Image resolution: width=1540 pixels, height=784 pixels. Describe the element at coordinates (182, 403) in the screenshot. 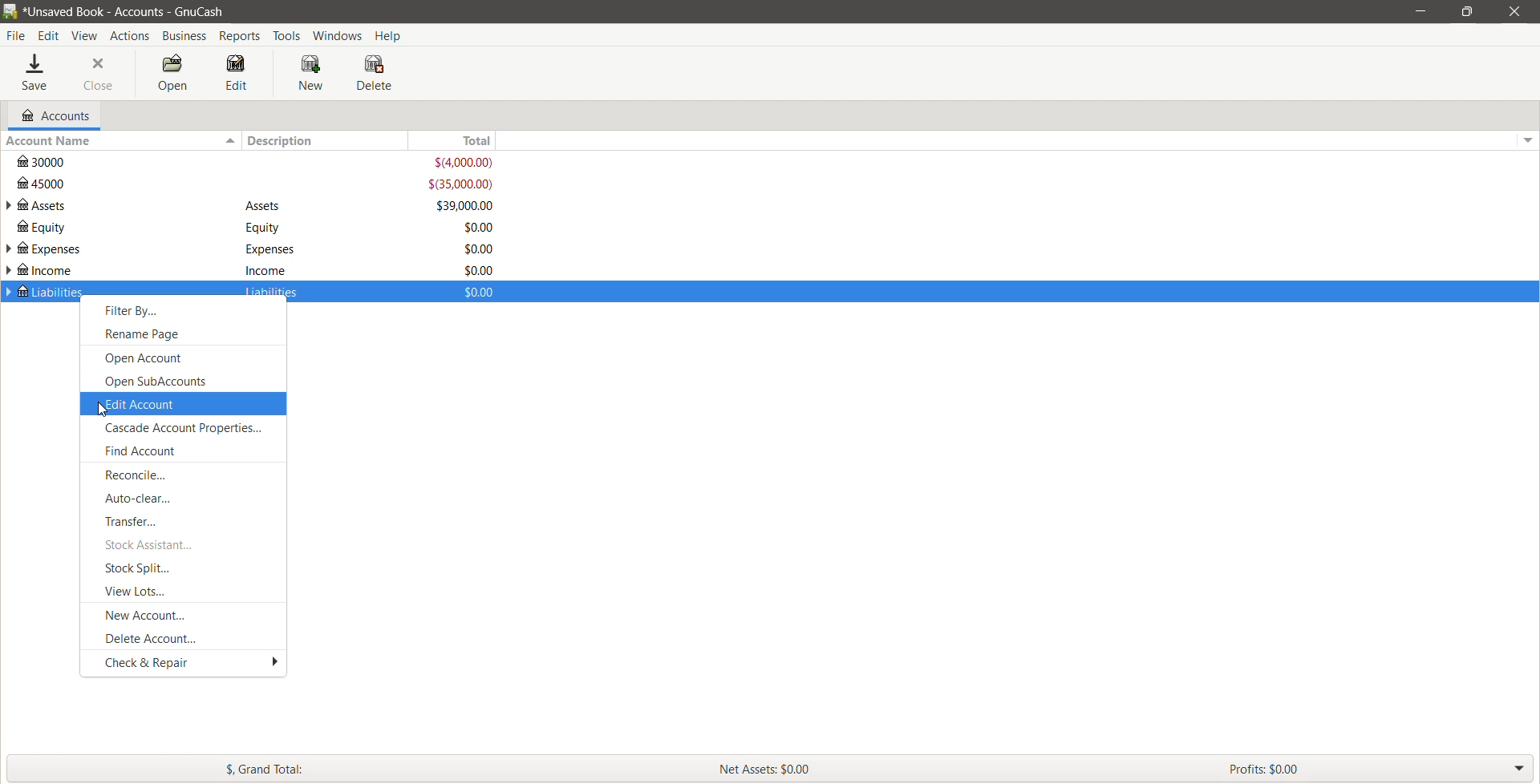

I see `Edit Account` at that location.